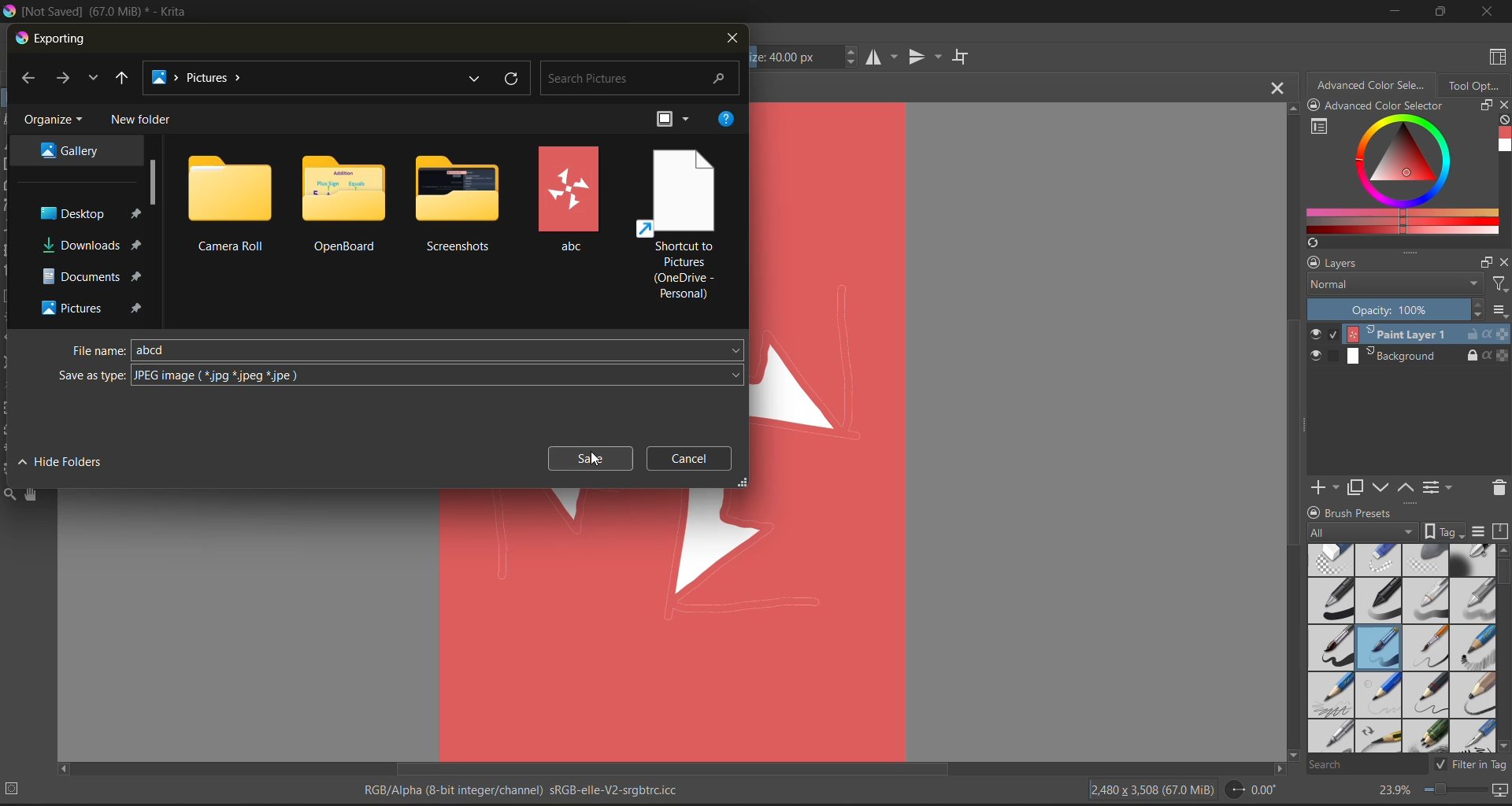 This screenshot has height=806, width=1512. What do you see at coordinates (70, 151) in the screenshot?
I see `file destination` at bounding box center [70, 151].